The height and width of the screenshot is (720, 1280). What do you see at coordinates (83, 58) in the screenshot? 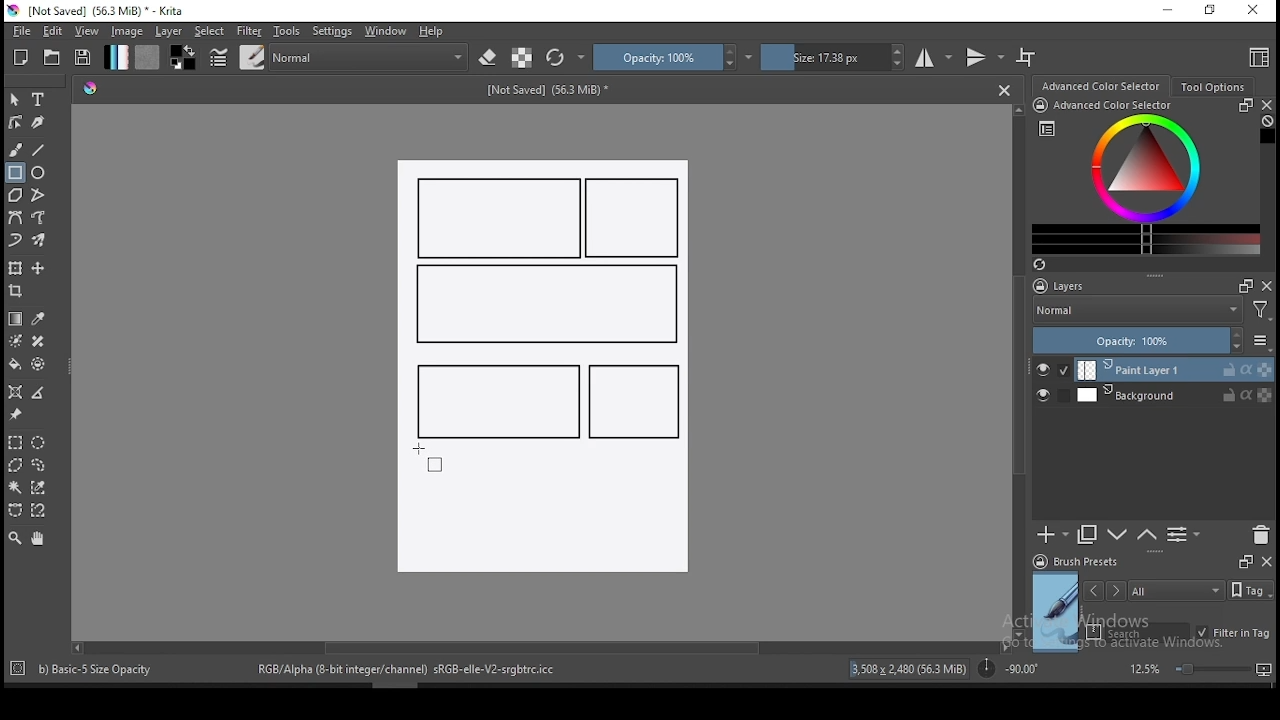
I see `save` at bounding box center [83, 58].